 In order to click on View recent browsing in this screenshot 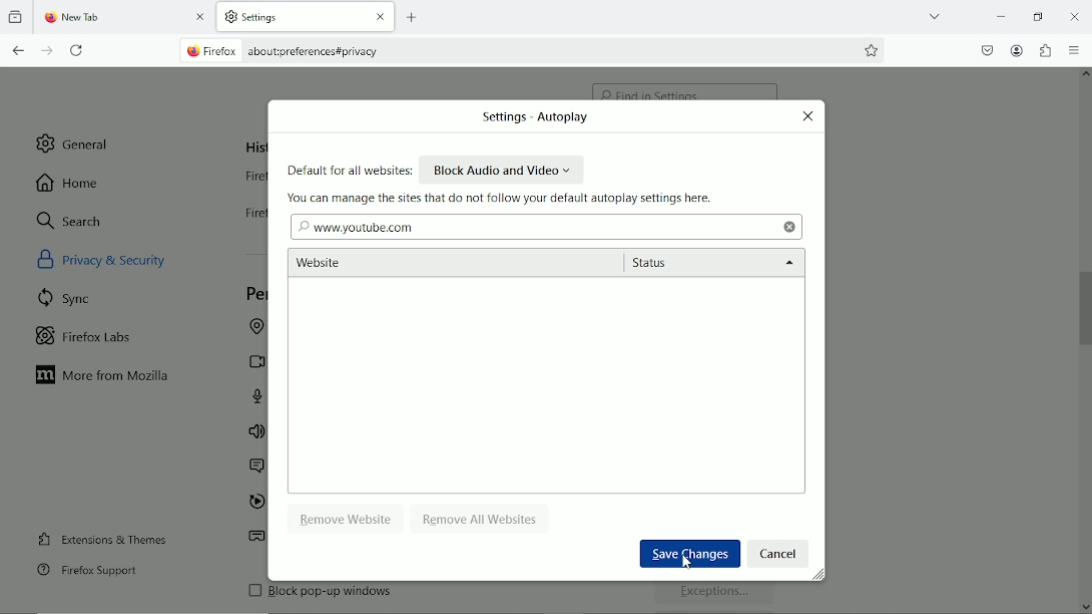, I will do `click(17, 18)`.